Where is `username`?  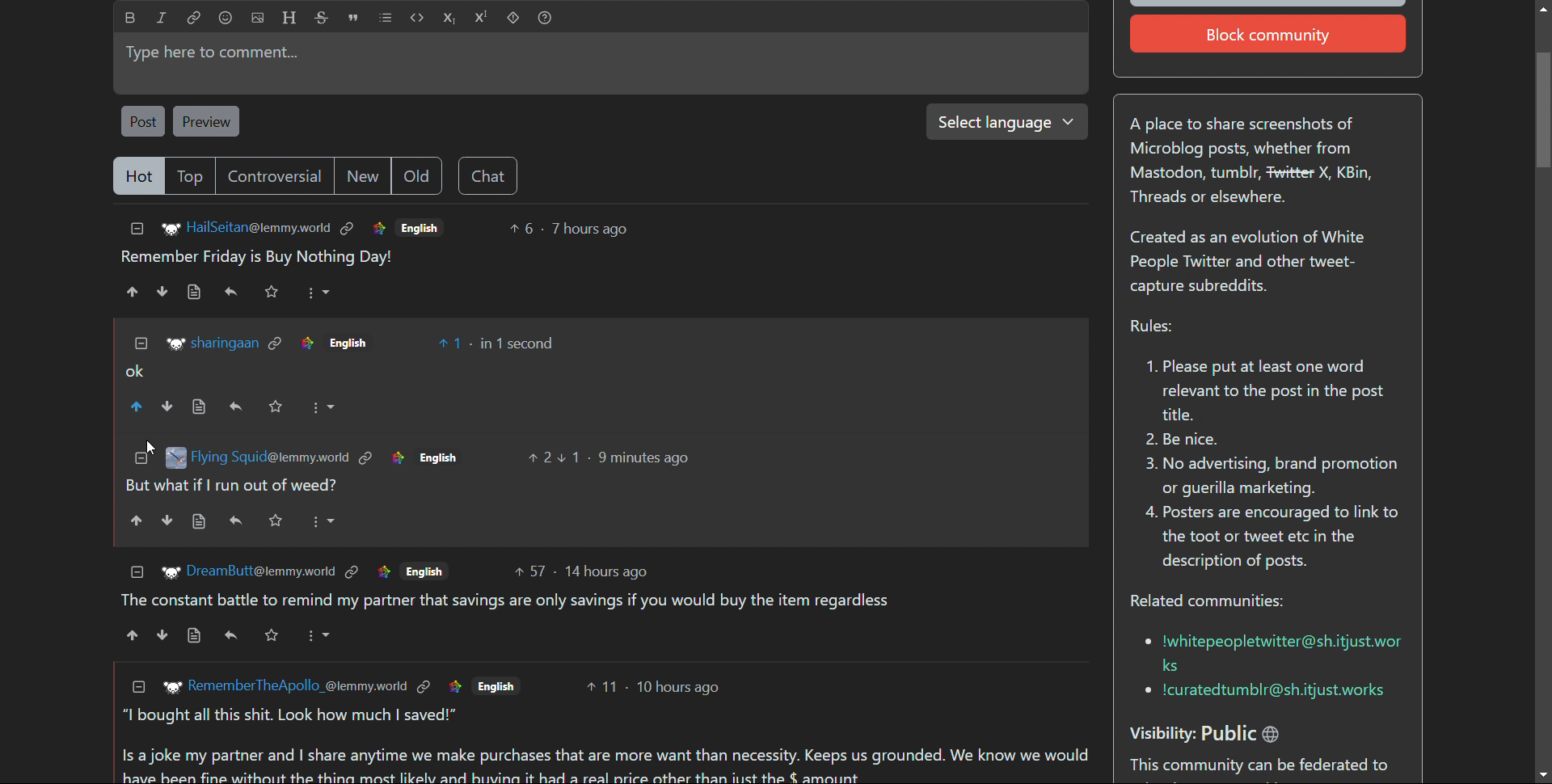
username is located at coordinates (297, 687).